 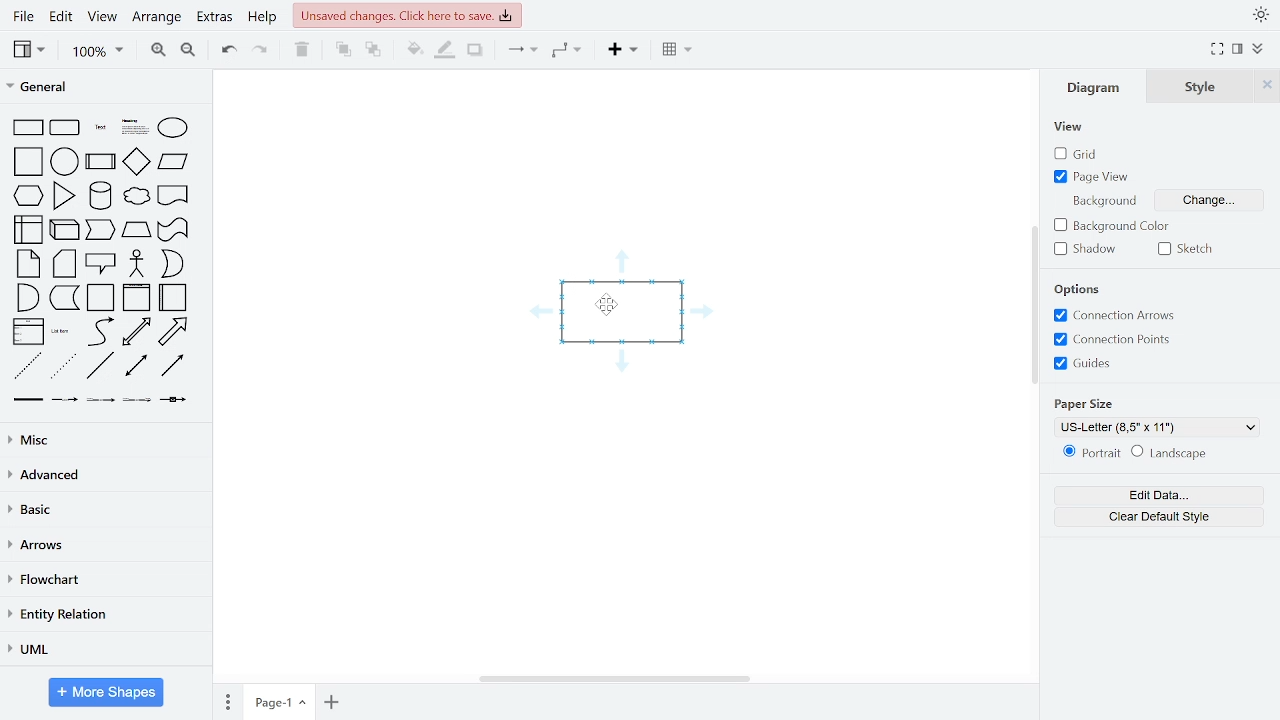 What do you see at coordinates (108, 692) in the screenshot?
I see `more shapes` at bounding box center [108, 692].